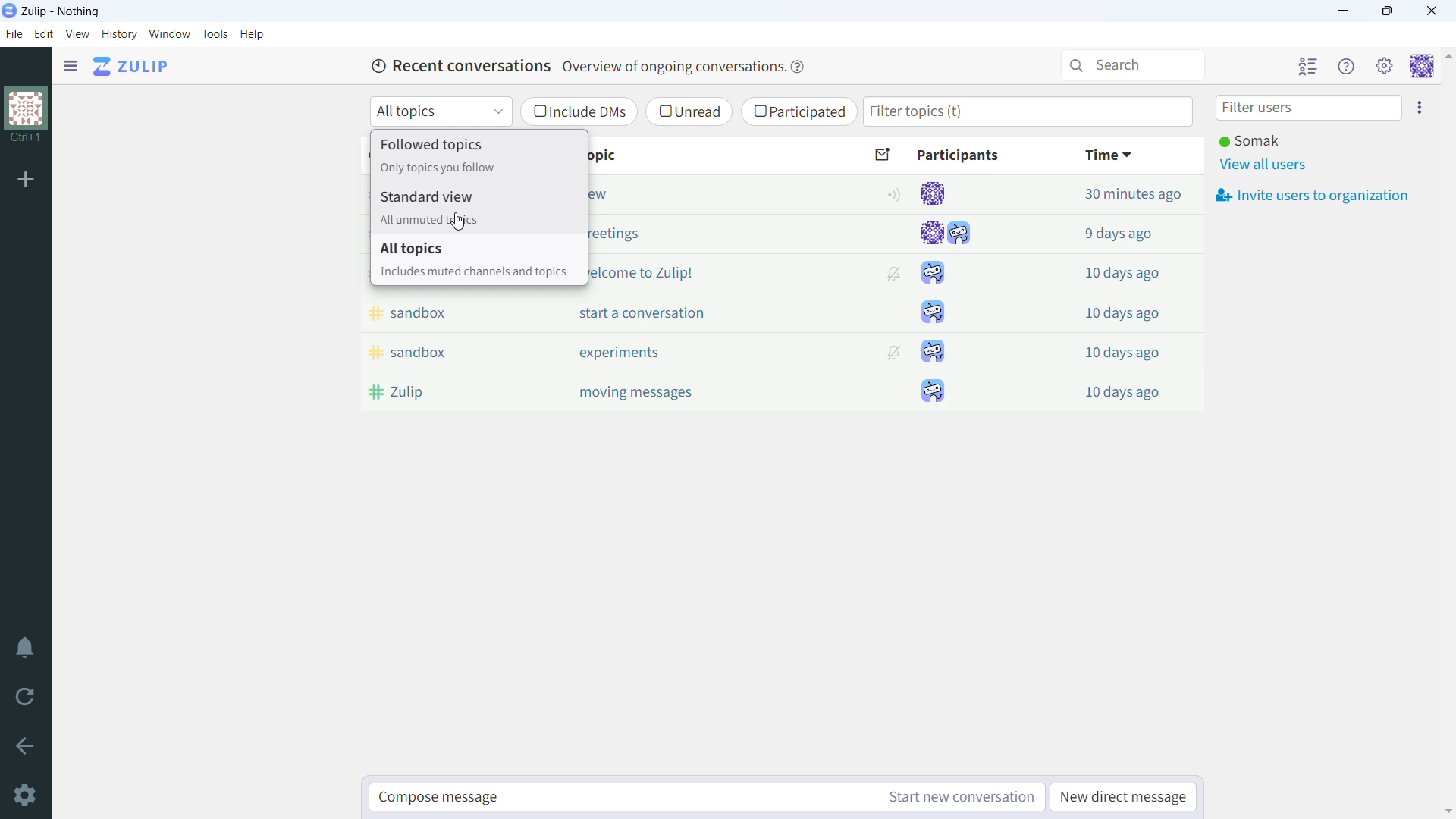  What do you see at coordinates (441, 391) in the screenshot?
I see `Zulip` at bounding box center [441, 391].